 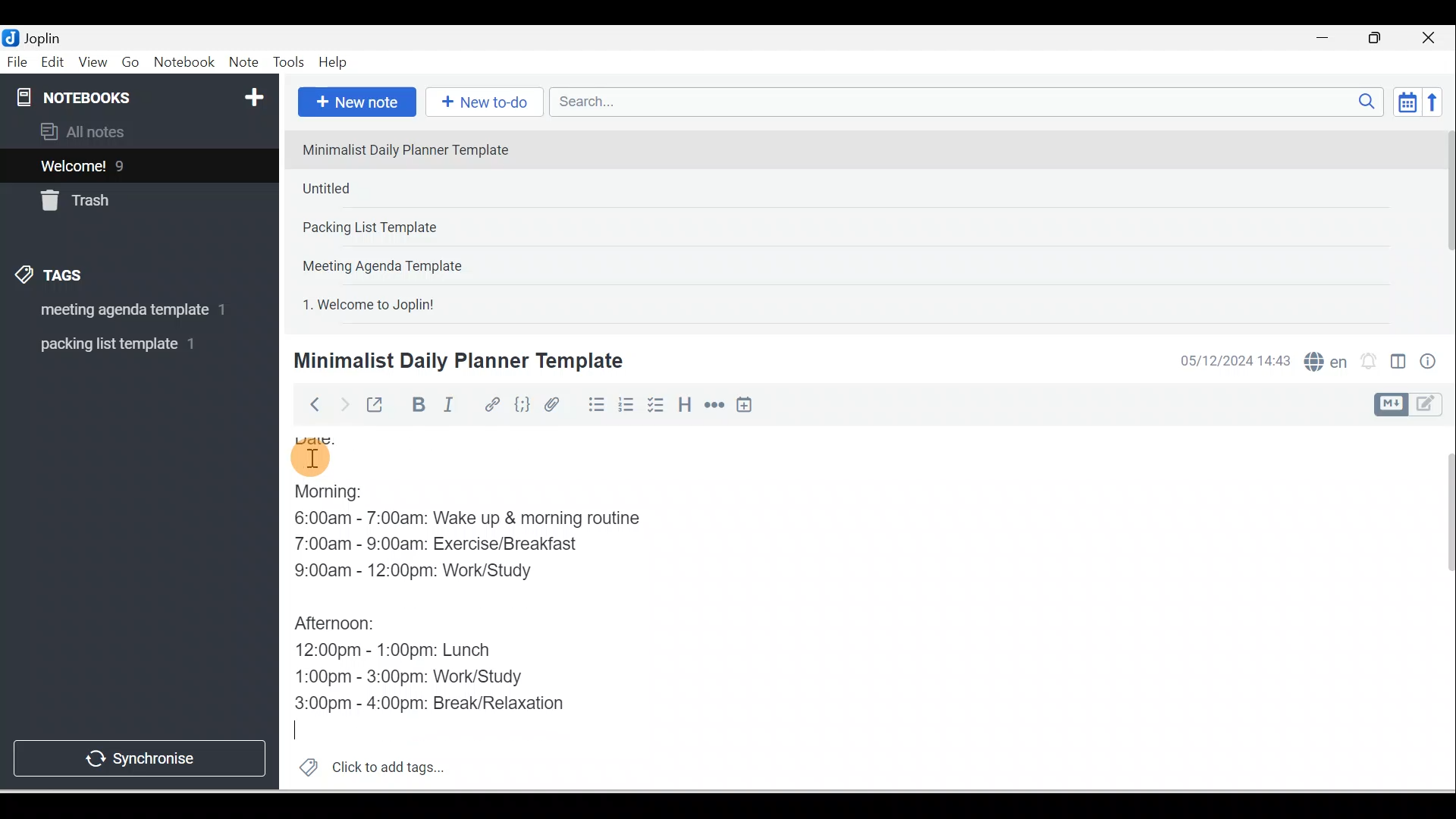 What do you see at coordinates (138, 755) in the screenshot?
I see `Synchronise` at bounding box center [138, 755].